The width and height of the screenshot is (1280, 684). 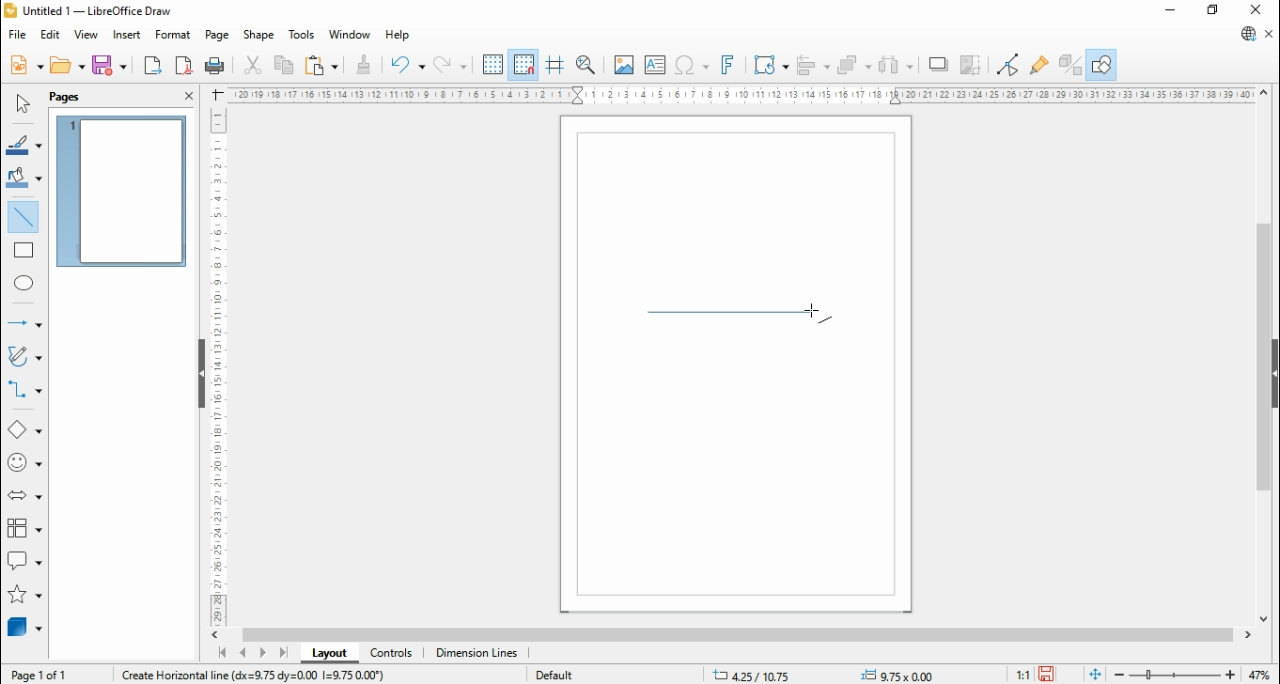 I want to click on curves and polygons, so click(x=26, y=355).